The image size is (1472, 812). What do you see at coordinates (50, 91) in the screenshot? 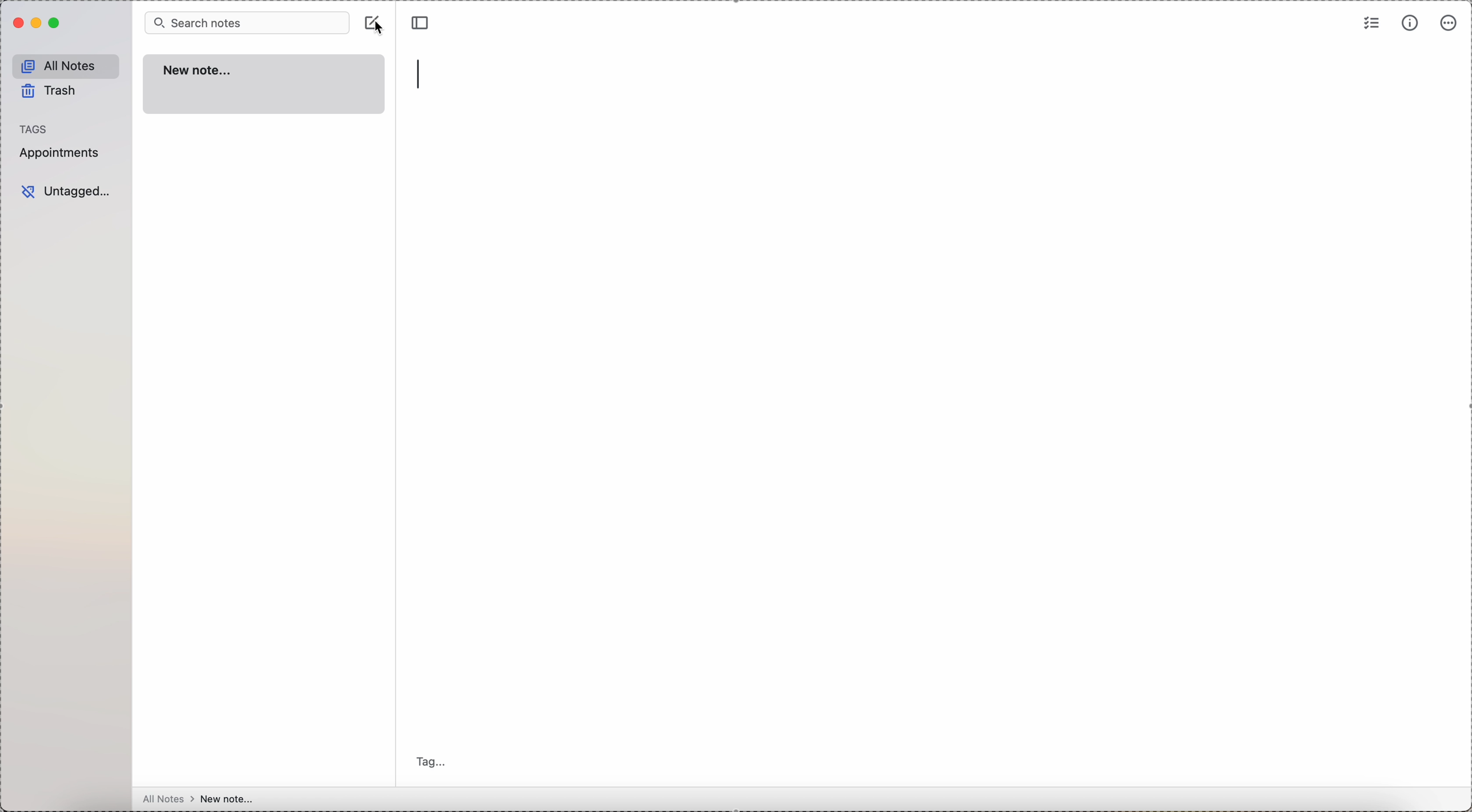
I see `trash` at bounding box center [50, 91].